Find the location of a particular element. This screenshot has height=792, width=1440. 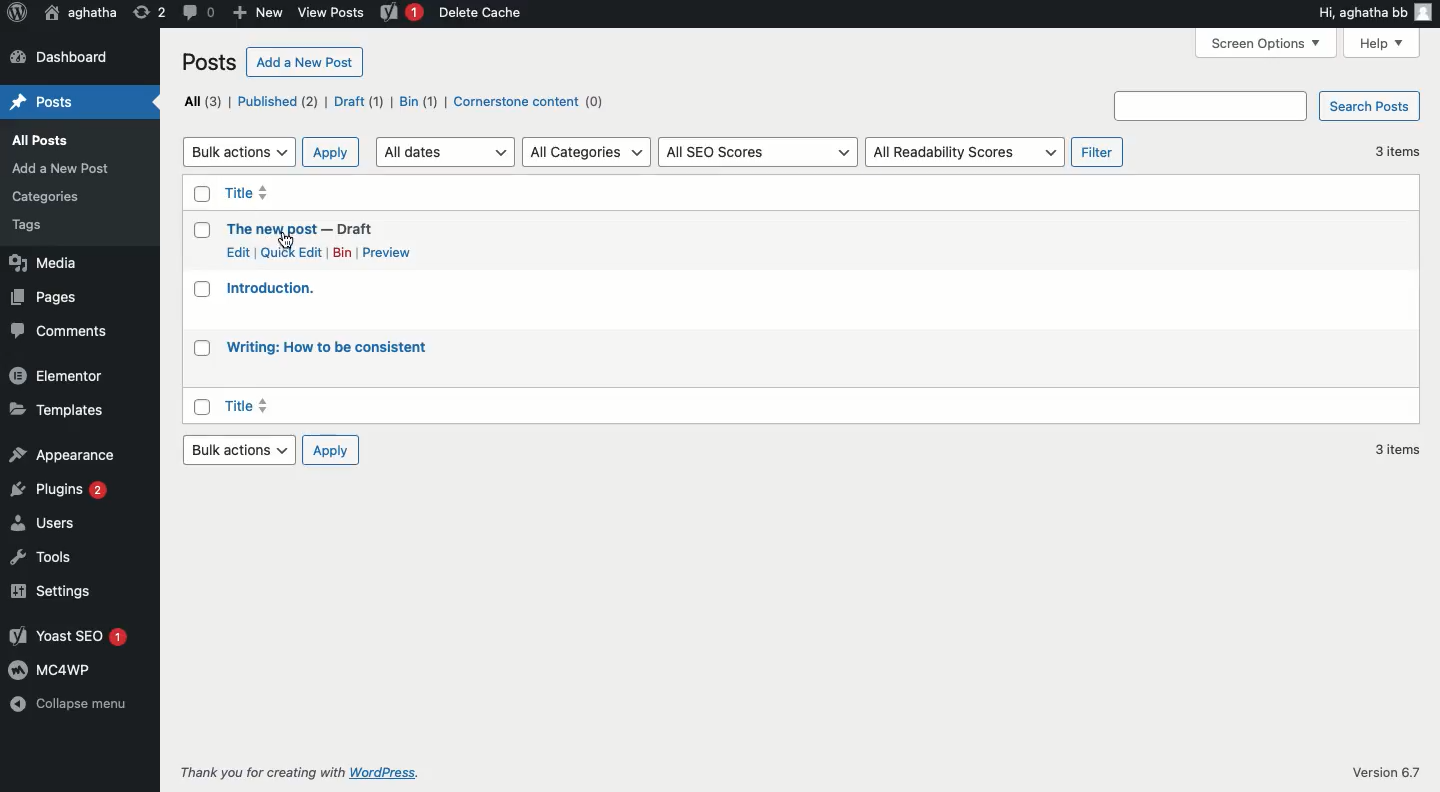

Posts is located at coordinates (209, 63).